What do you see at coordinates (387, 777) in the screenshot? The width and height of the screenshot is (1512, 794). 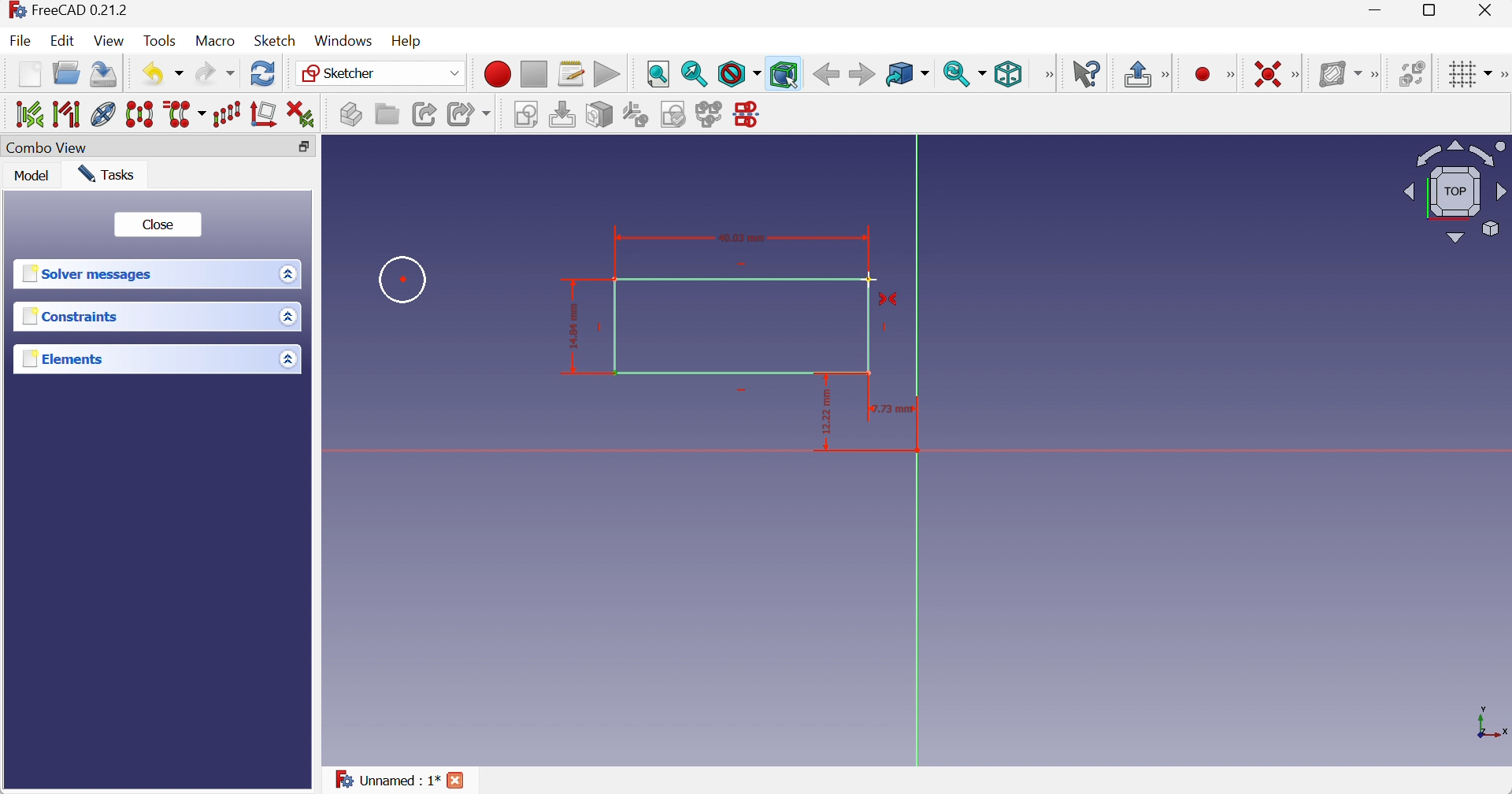 I see `Unnamed : 1*` at bounding box center [387, 777].